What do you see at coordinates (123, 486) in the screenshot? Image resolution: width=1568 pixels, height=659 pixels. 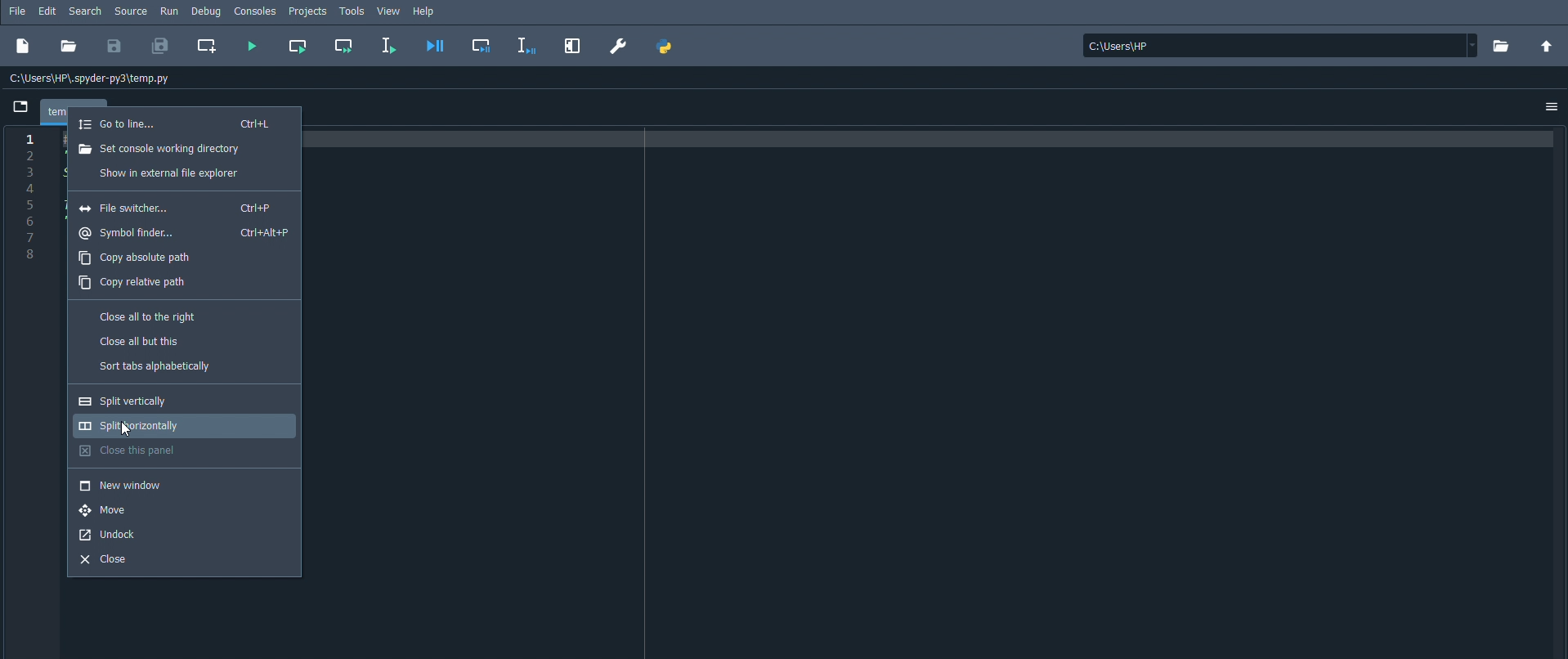 I see `New window` at bounding box center [123, 486].